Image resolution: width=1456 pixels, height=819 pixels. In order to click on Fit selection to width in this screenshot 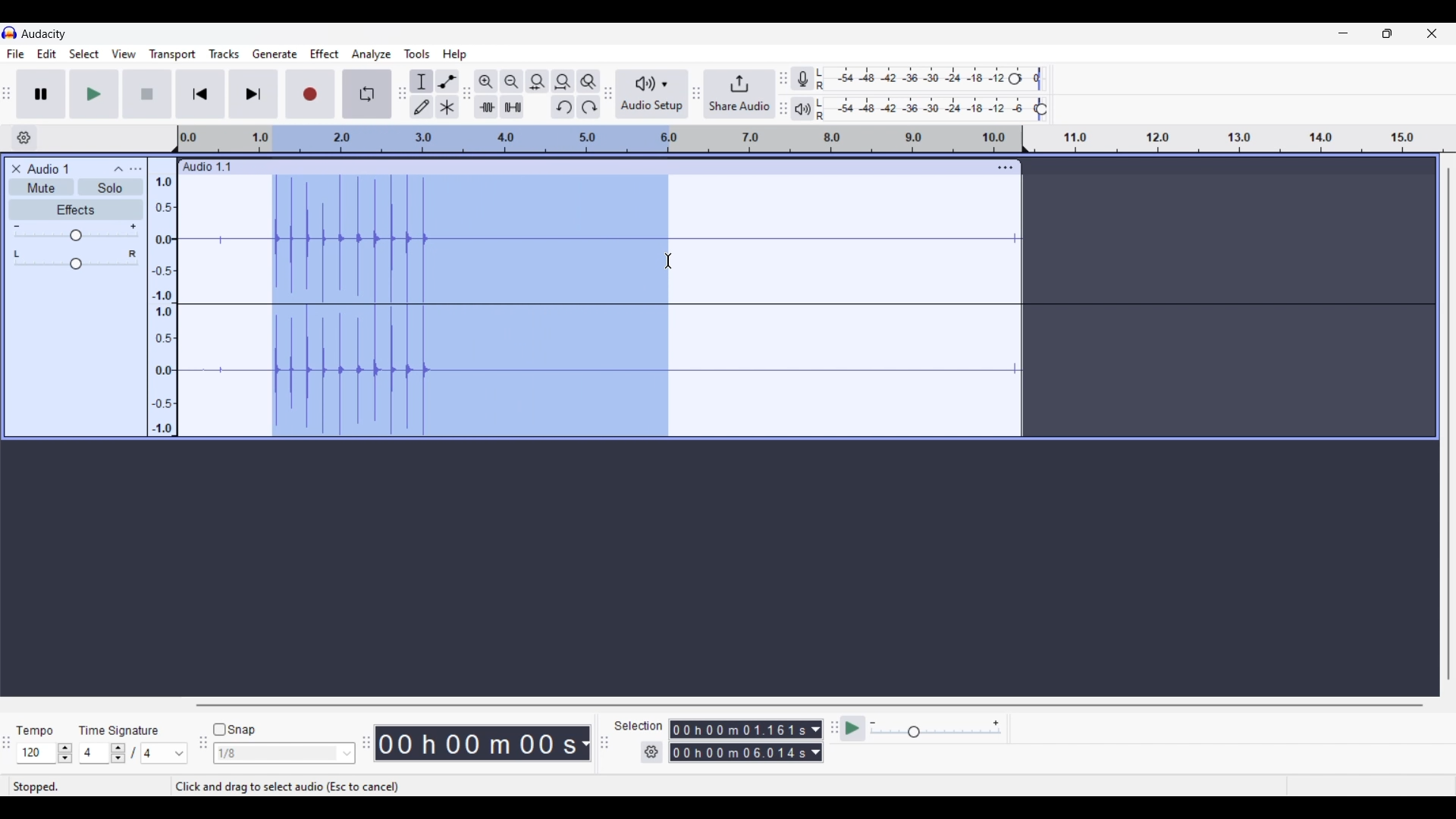, I will do `click(537, 81)`.